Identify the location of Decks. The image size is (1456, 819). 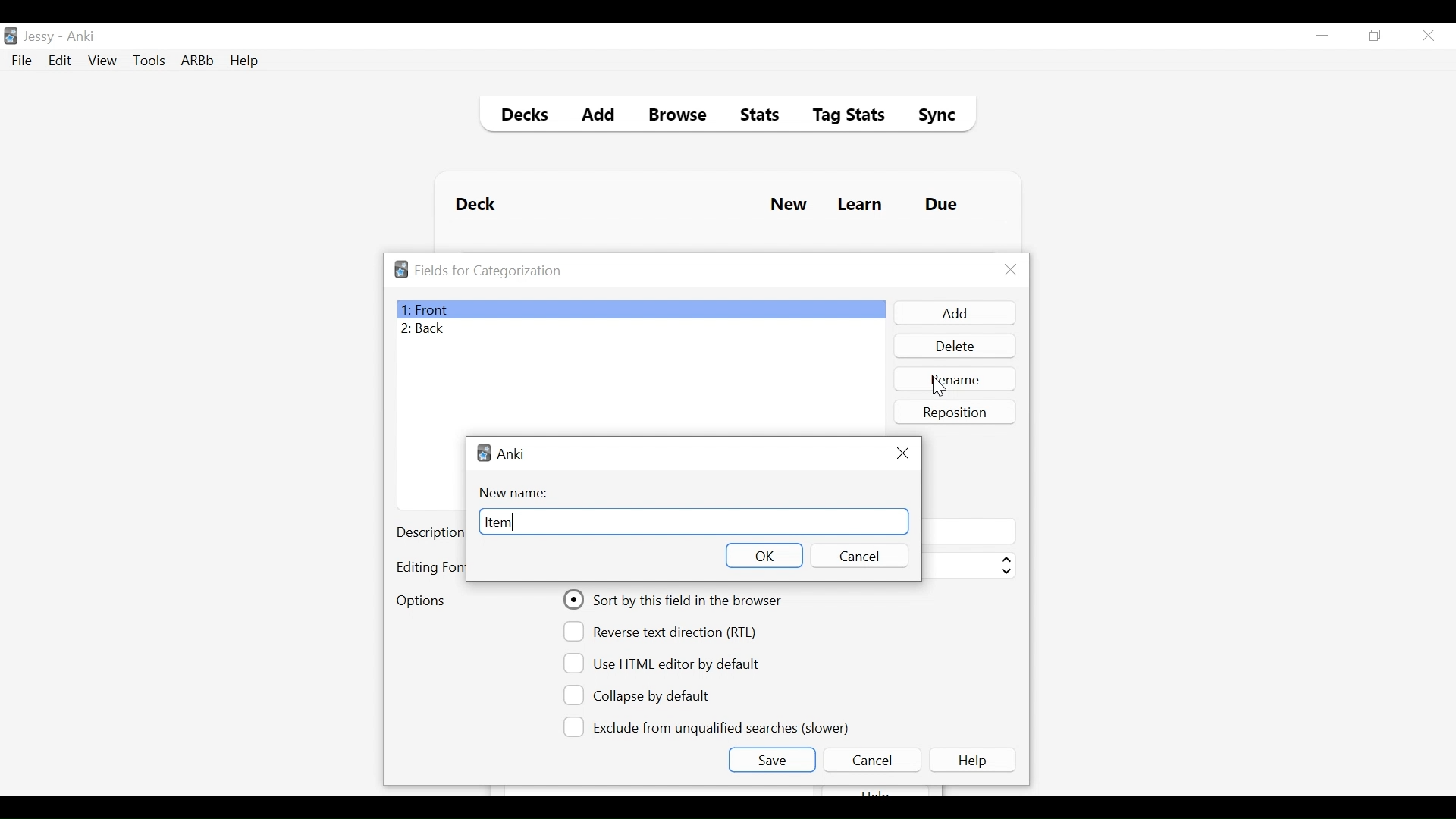
(521, 117).